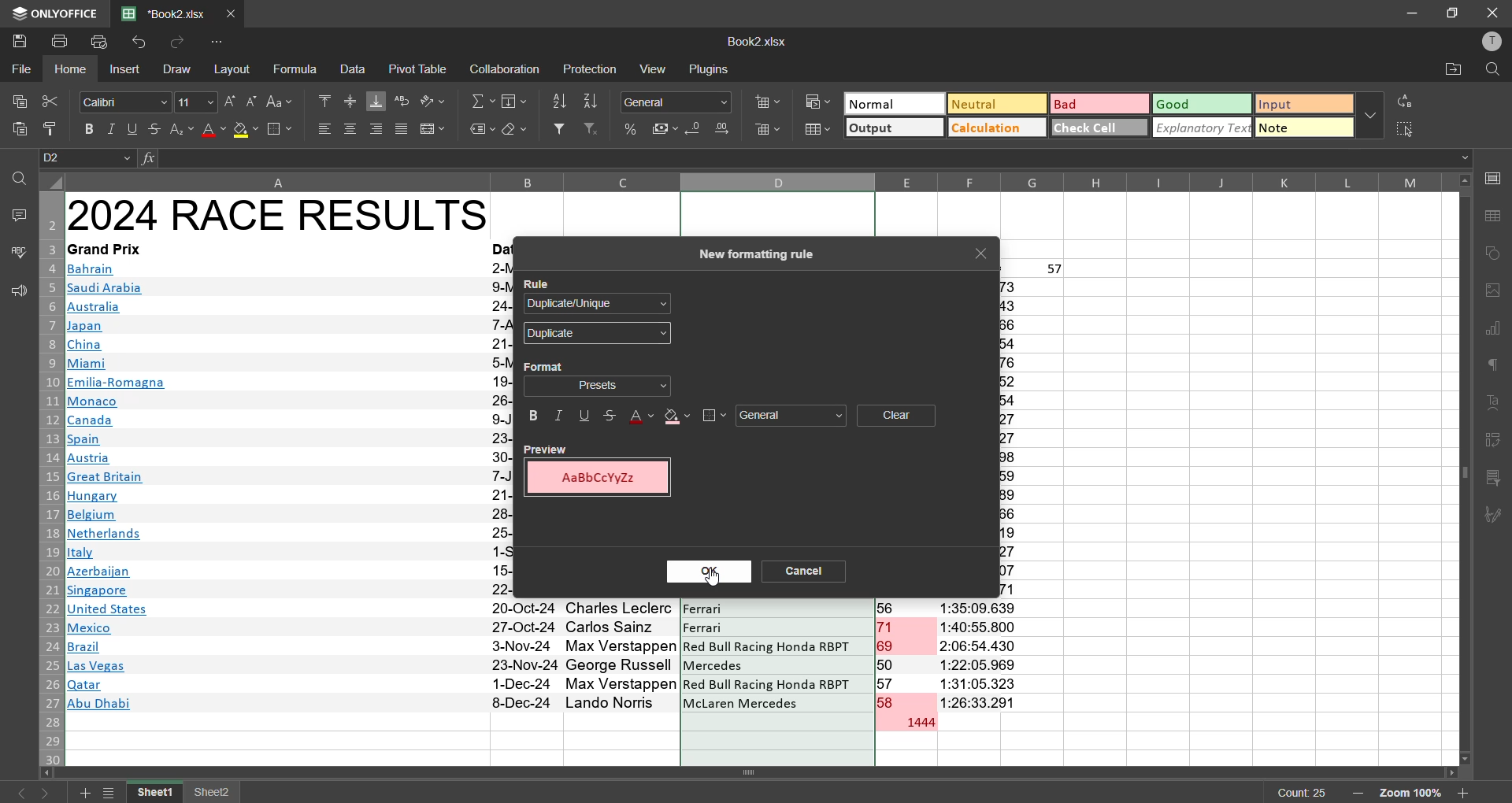 Image resolution: width=1512 pixels, height=803 pixels. What do you see at coordinates (91, 129) in the screenshot?
I see `bold` at bounding box center [91, 129].